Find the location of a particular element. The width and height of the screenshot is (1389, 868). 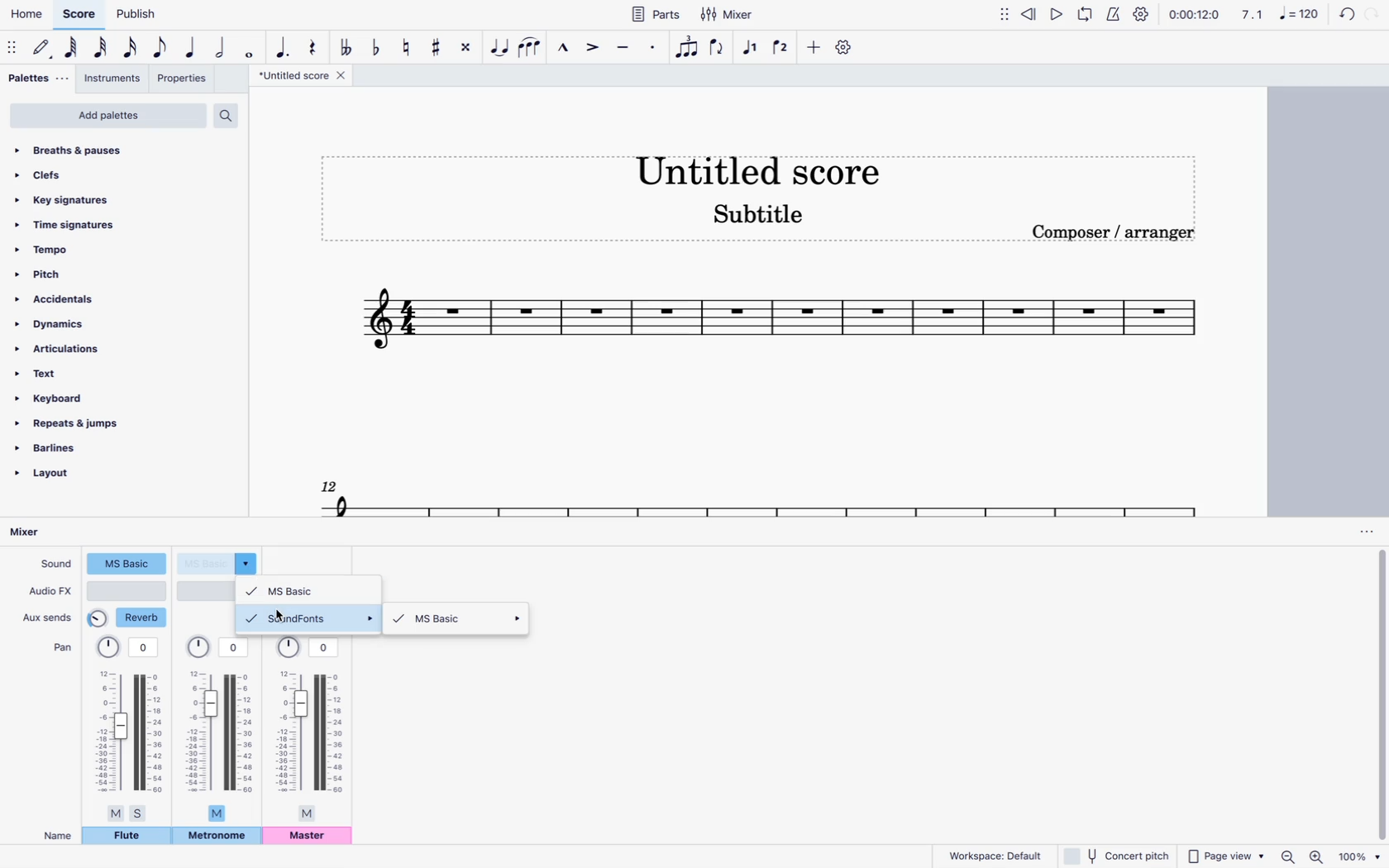

cursor is located at coordinates (282, 615).